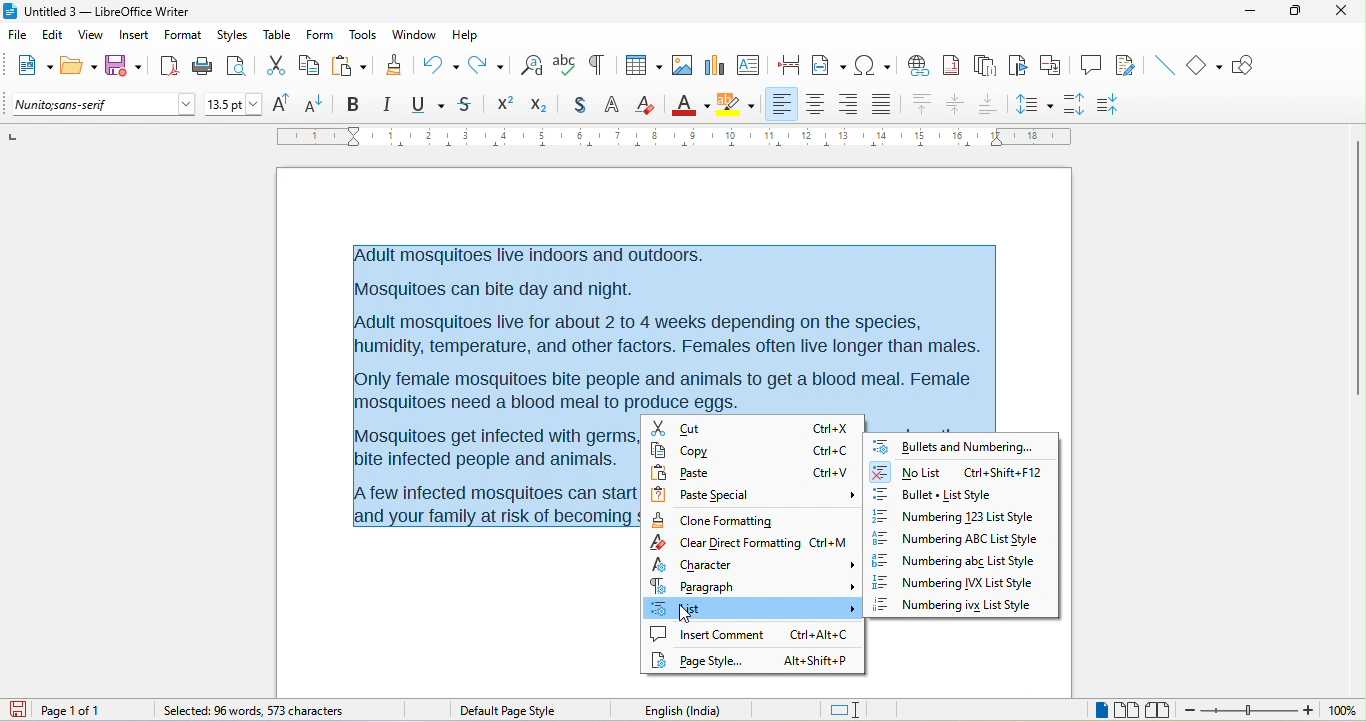  Describe the element at coordinates (753, 587) in the screenshot. I see `paragraph` at that location.